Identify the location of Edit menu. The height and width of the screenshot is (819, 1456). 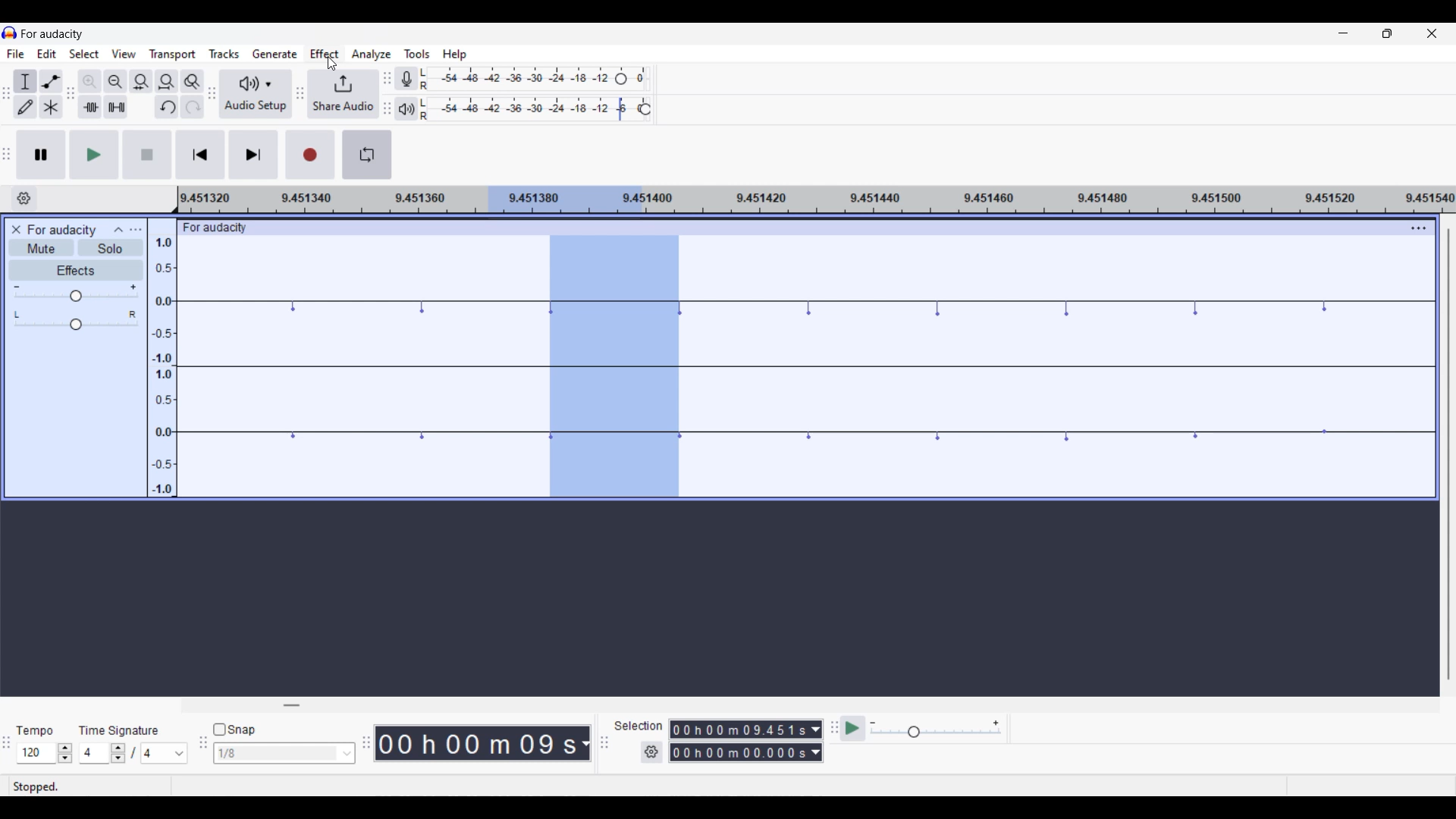
(46, 53).